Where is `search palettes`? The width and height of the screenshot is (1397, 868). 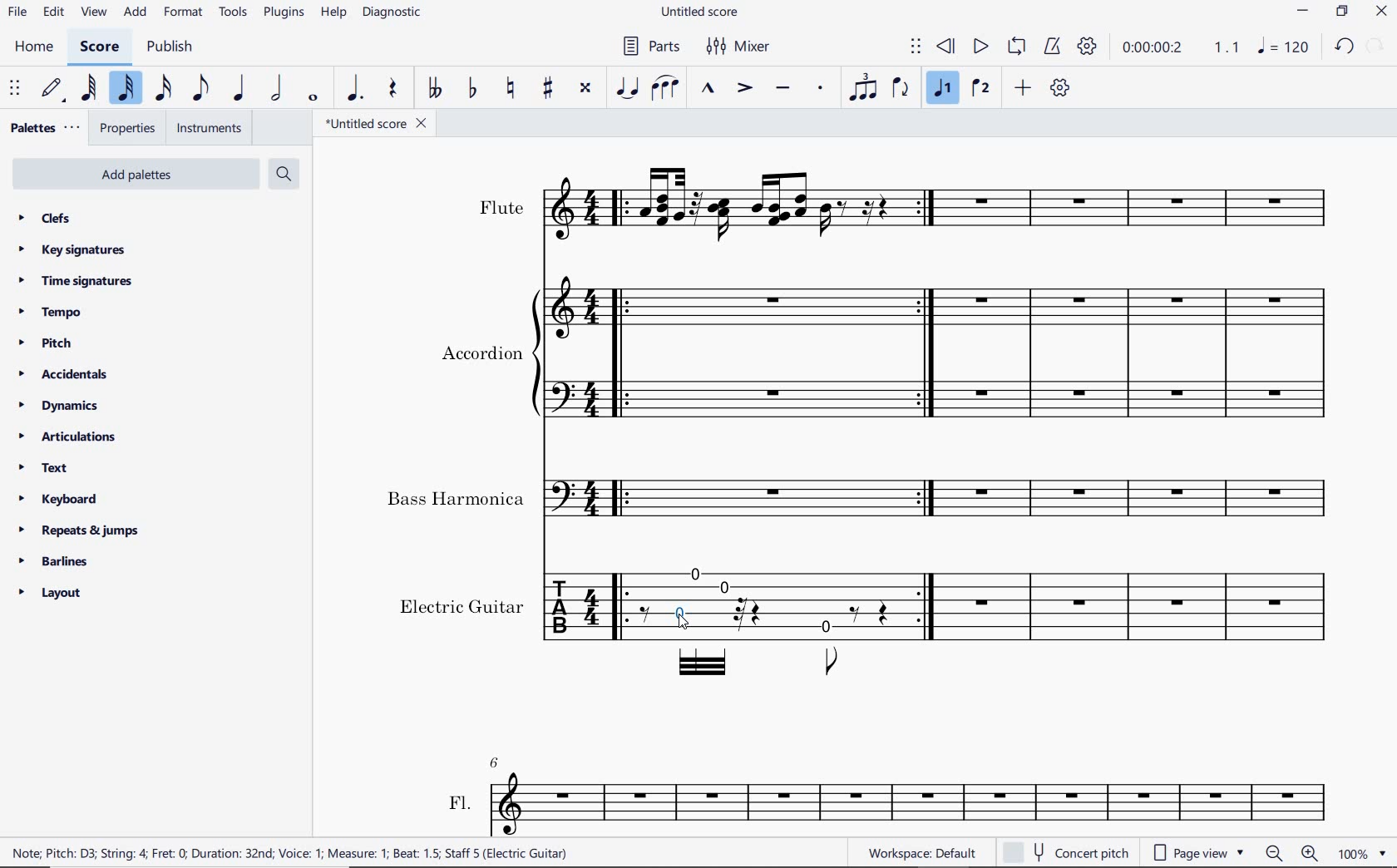 search palettes is located at coordinates (285, 175).